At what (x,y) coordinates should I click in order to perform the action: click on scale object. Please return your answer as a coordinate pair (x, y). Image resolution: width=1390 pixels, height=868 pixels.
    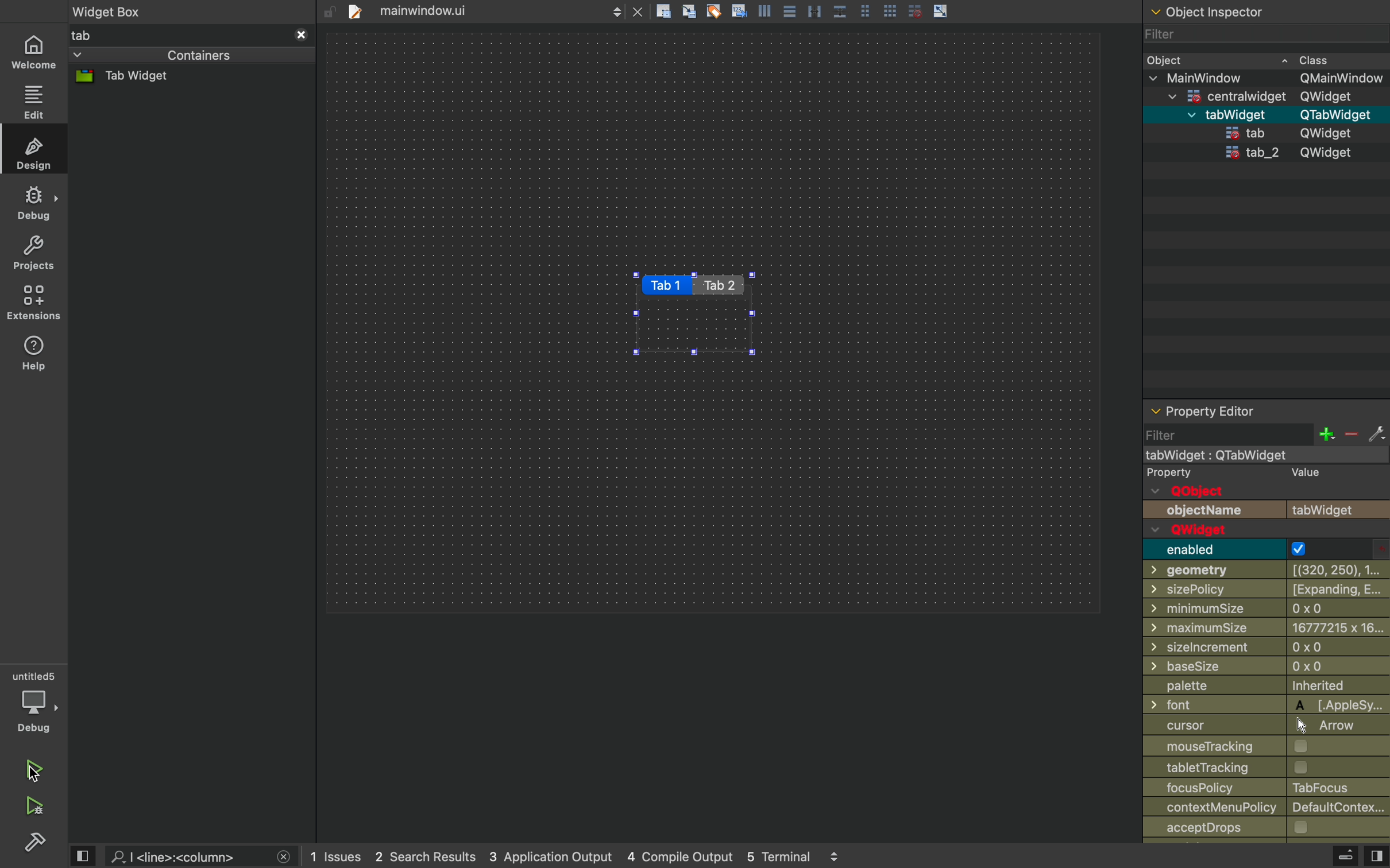
    Looking at the image, I should click on (940, 10).